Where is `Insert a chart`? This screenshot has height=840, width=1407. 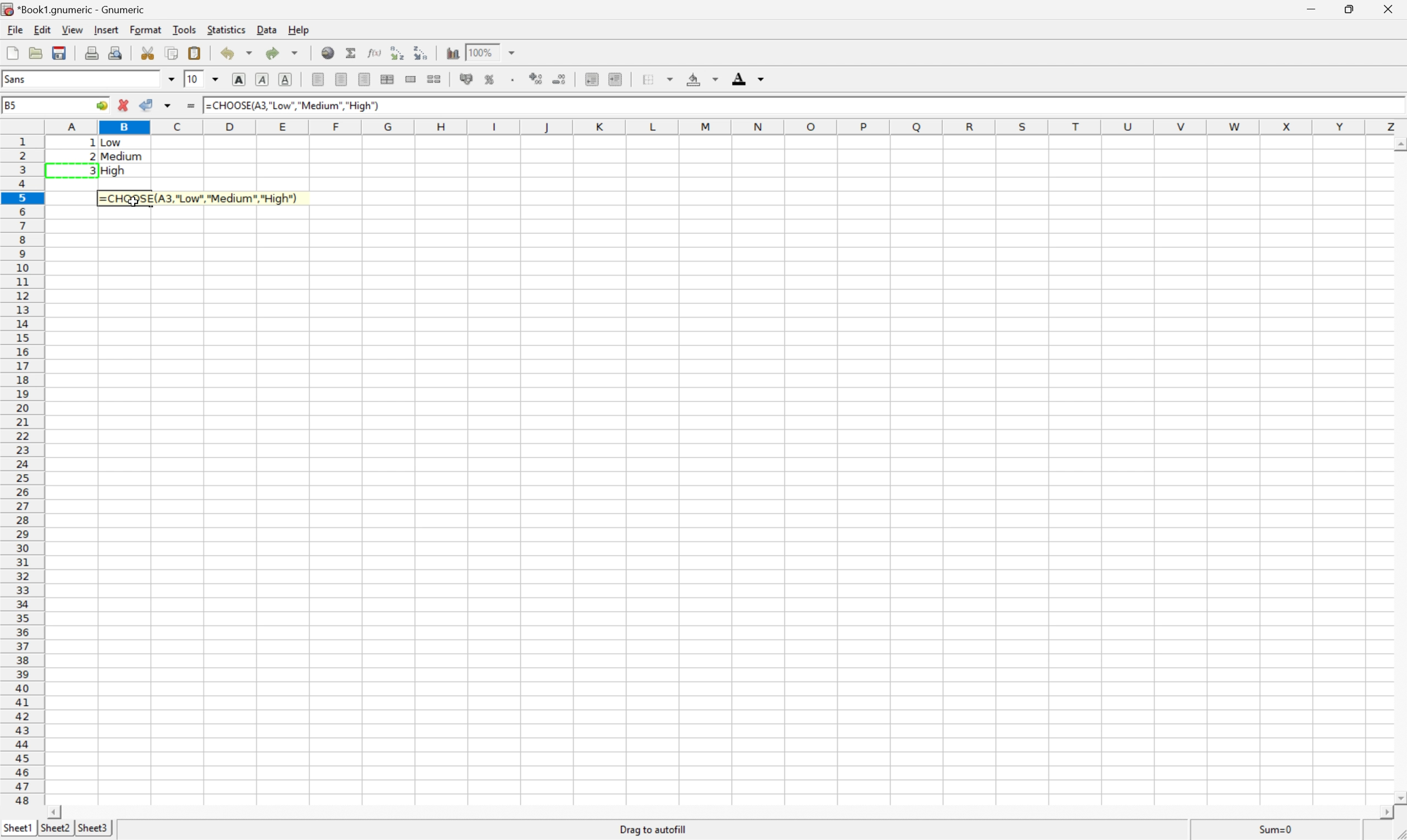 Insert a chart is located at coordinates (454, 53).